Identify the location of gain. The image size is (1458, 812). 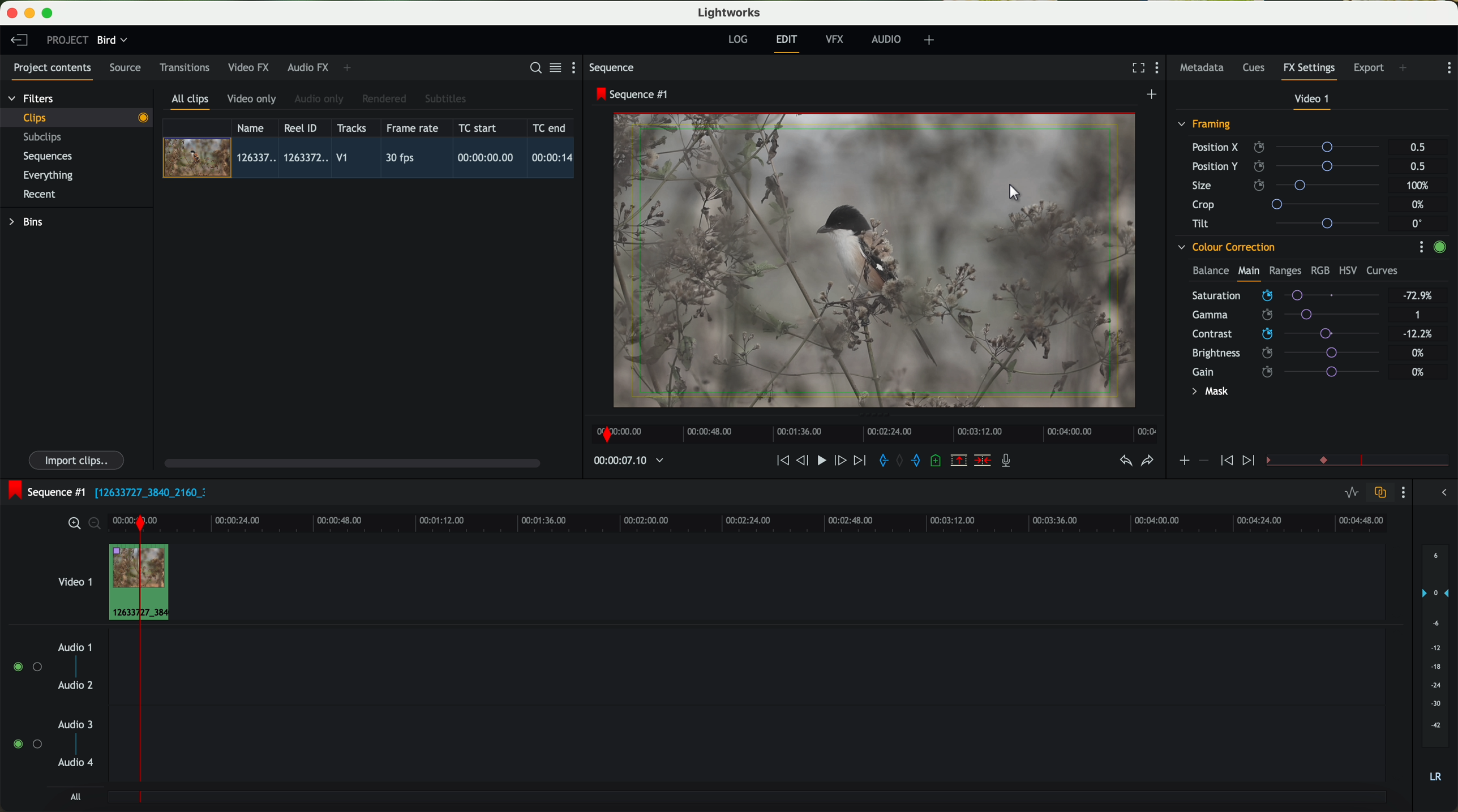
(1293, 371).